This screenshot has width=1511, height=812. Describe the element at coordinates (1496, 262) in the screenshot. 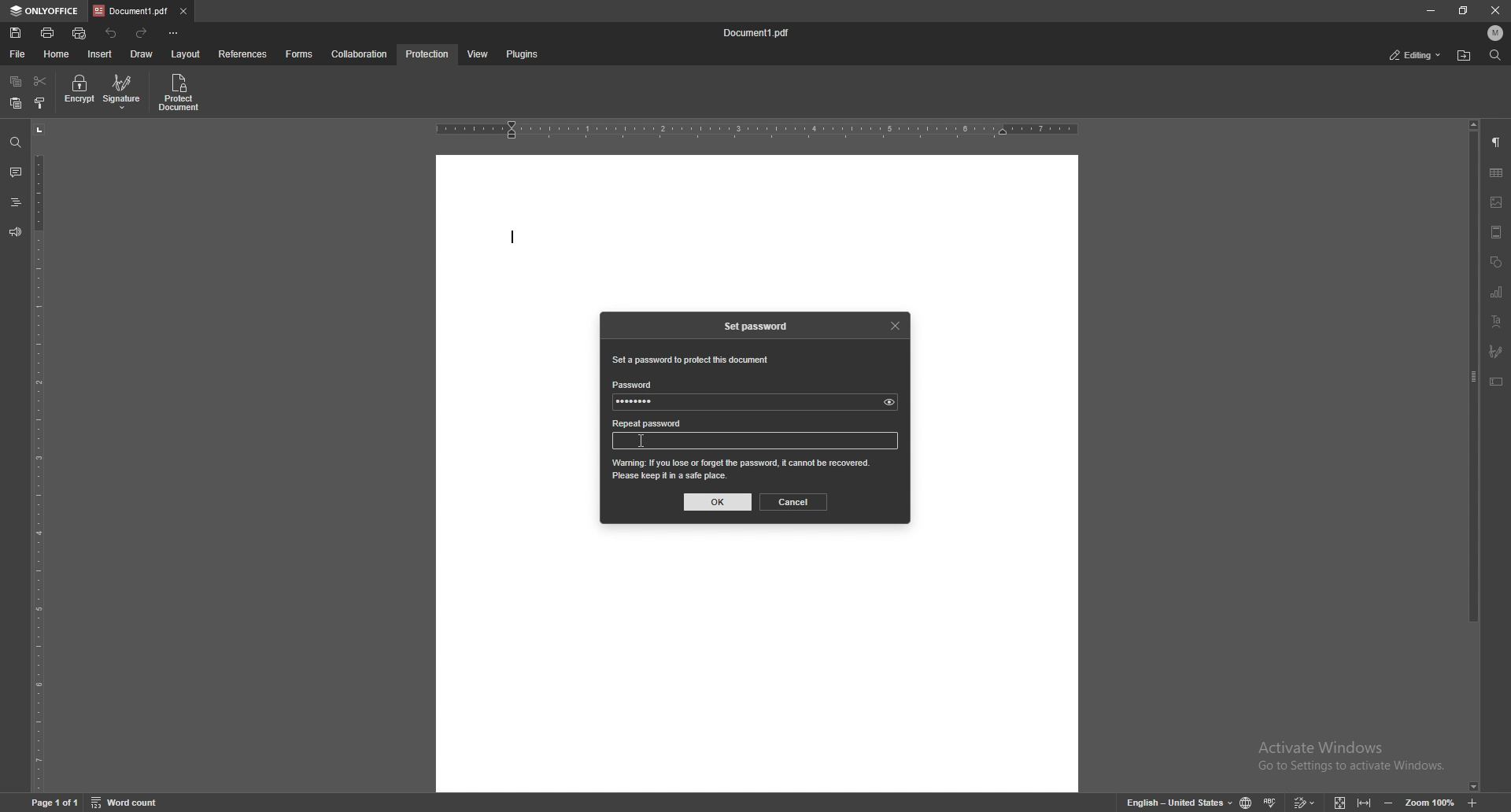

I see `shapes` at that location.